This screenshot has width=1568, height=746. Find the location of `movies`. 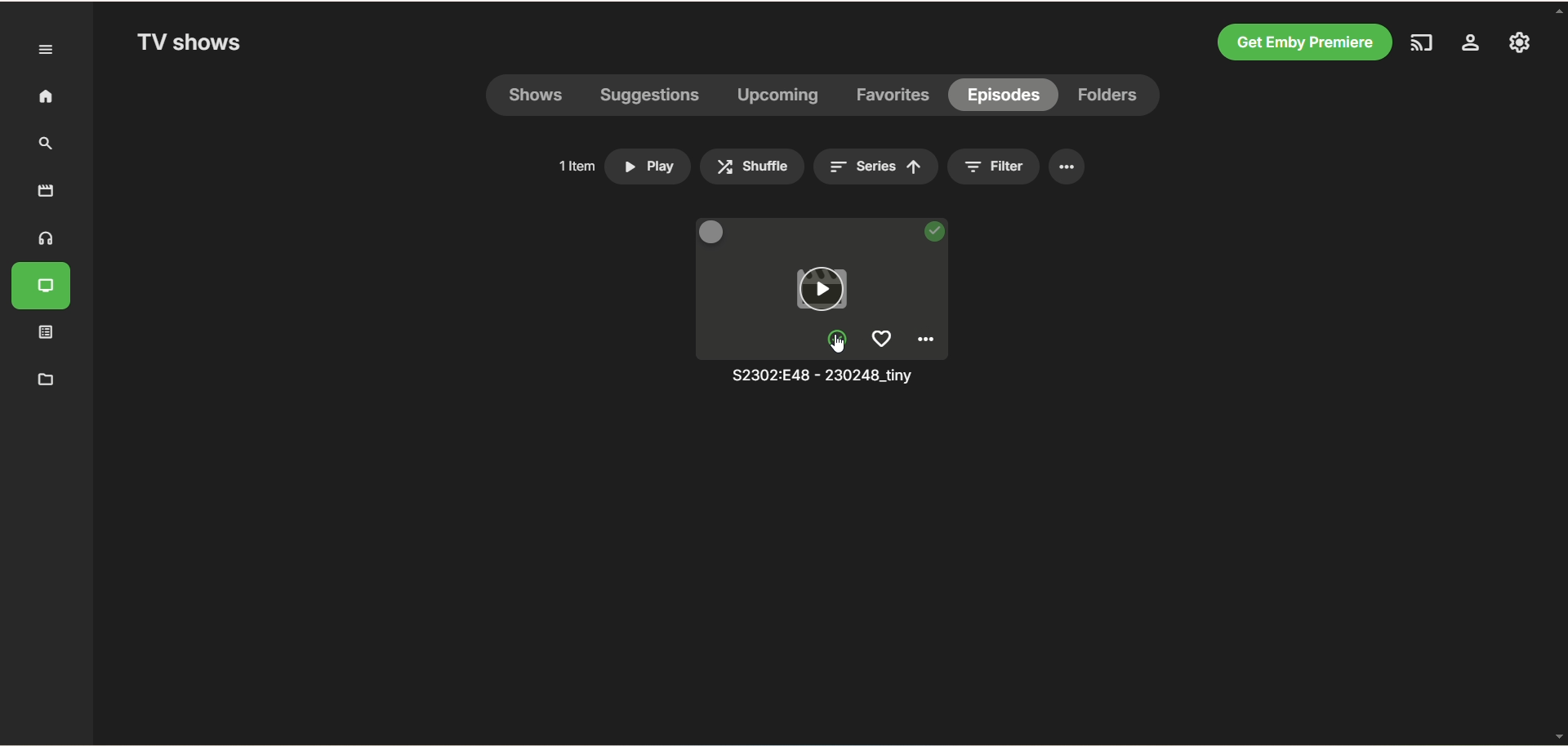

movies is located at coordinates (45, 190).